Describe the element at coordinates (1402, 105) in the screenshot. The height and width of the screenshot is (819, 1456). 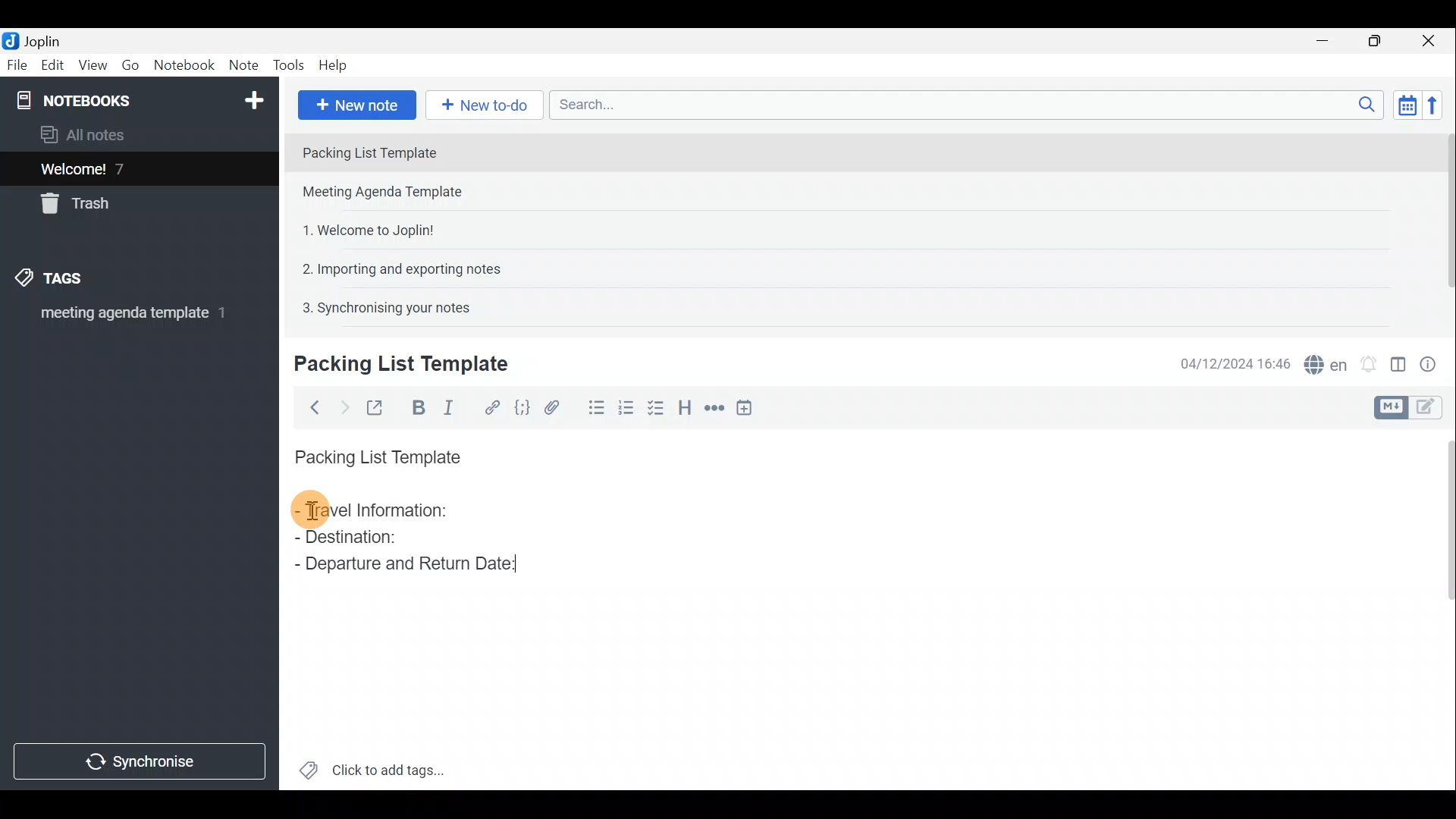
I see `Toggle sort order field` at that location.